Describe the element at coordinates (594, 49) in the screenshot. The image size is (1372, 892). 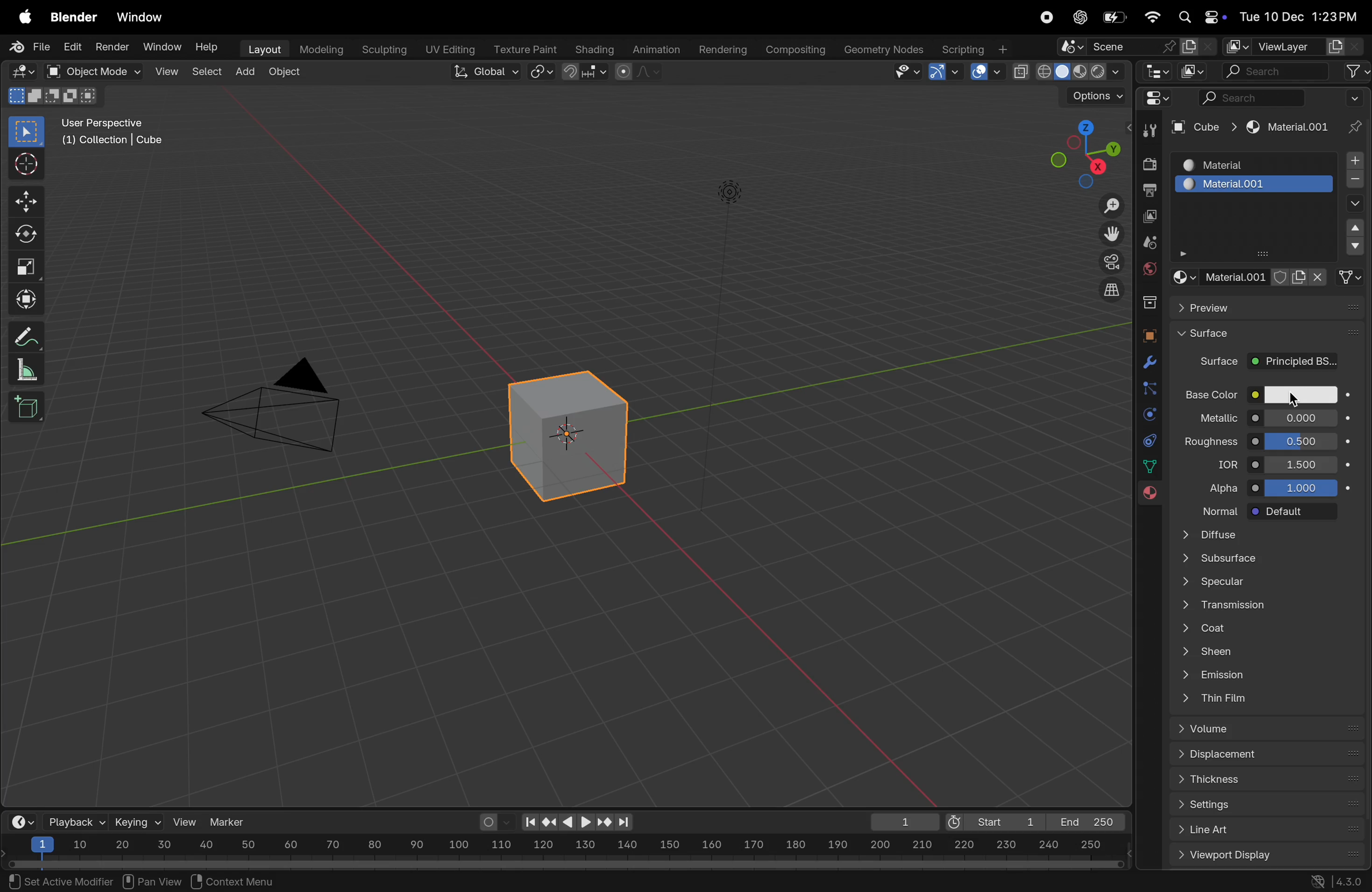
I see `Shading` at that location.